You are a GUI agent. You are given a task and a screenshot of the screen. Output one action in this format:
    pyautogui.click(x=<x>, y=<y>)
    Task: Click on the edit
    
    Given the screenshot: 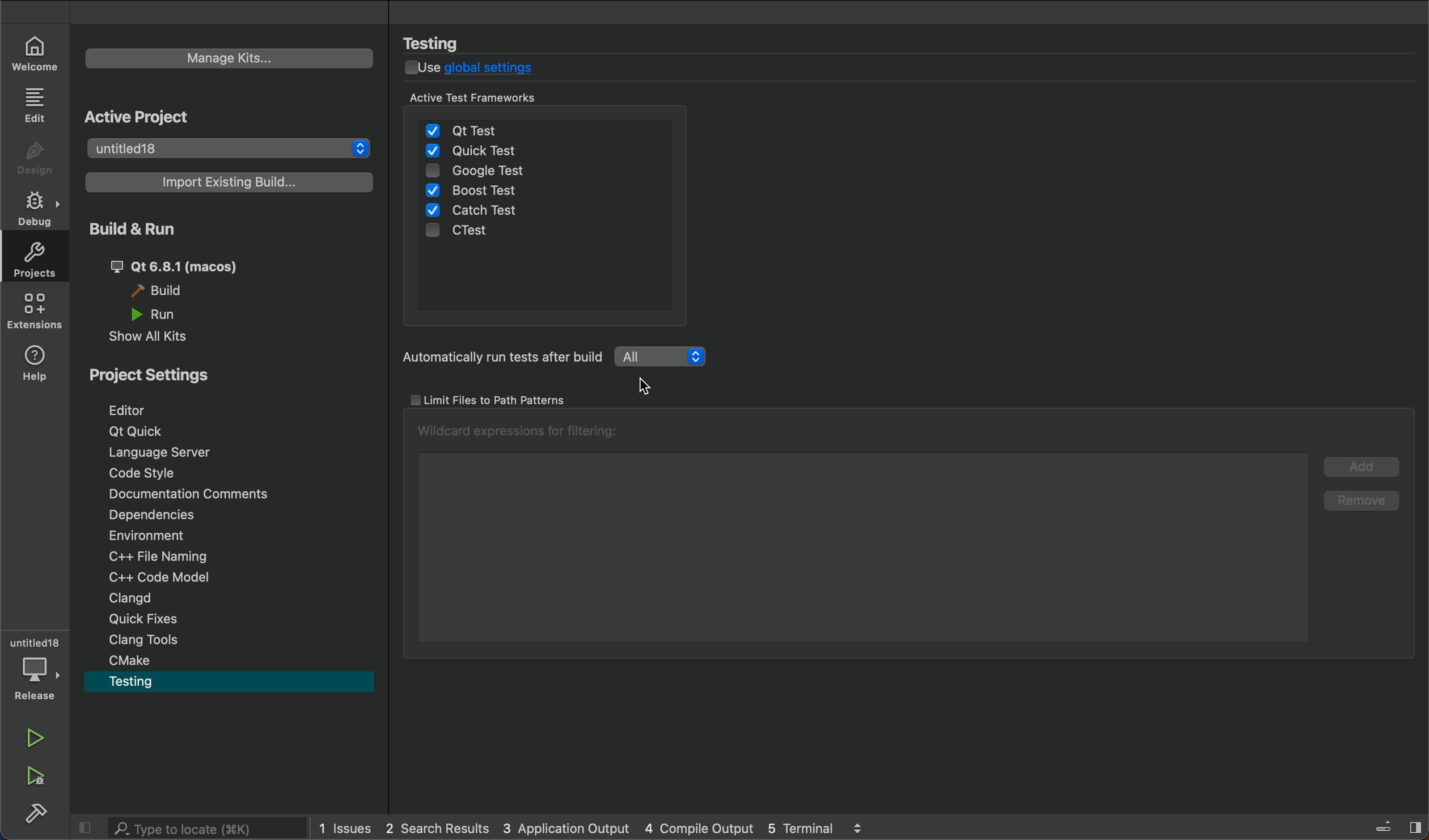 What is the action you would take?
    pyautogui.click(x=38, y=106)
    